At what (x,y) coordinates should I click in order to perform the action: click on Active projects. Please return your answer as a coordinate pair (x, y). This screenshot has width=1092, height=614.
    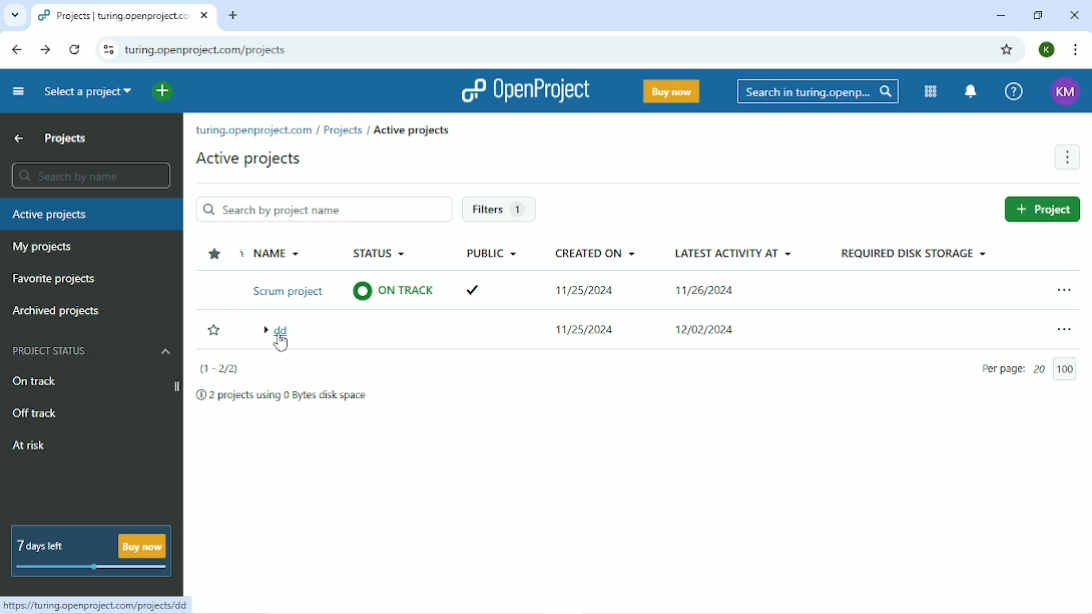
    Looking at the image, I should click on (92, 215).